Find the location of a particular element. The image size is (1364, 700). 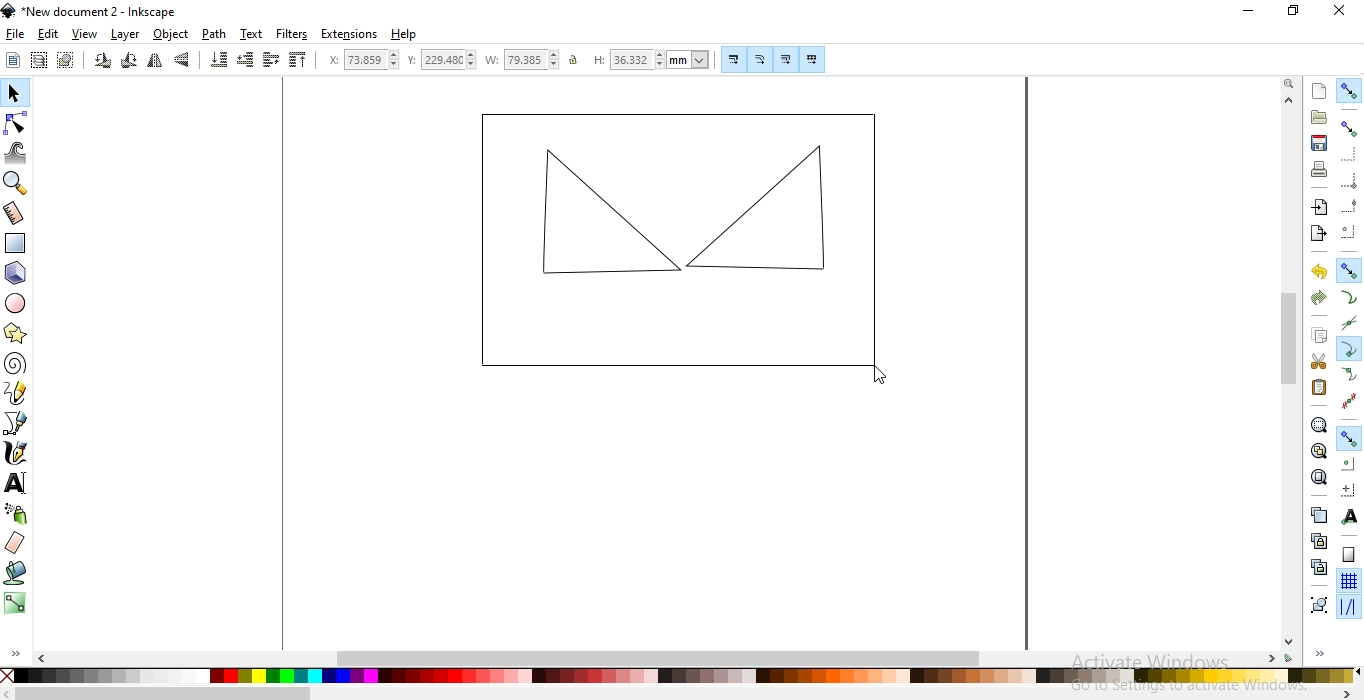

spray objects by sculpting or painting is located at coordinates (17, 515).